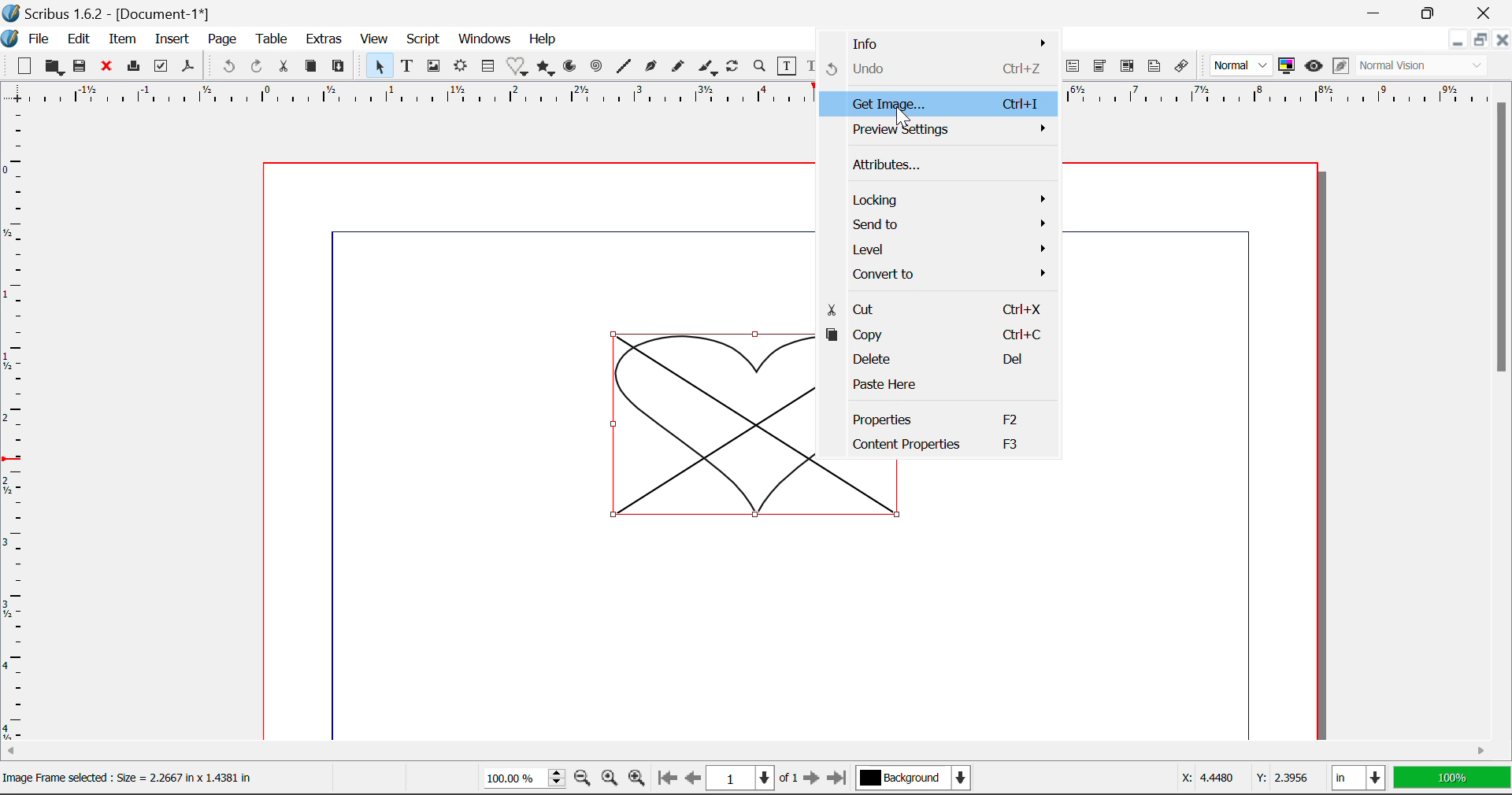 The height and width of the screenshot is (795, 1512). I want to click on Refresh, so click(736, 68).